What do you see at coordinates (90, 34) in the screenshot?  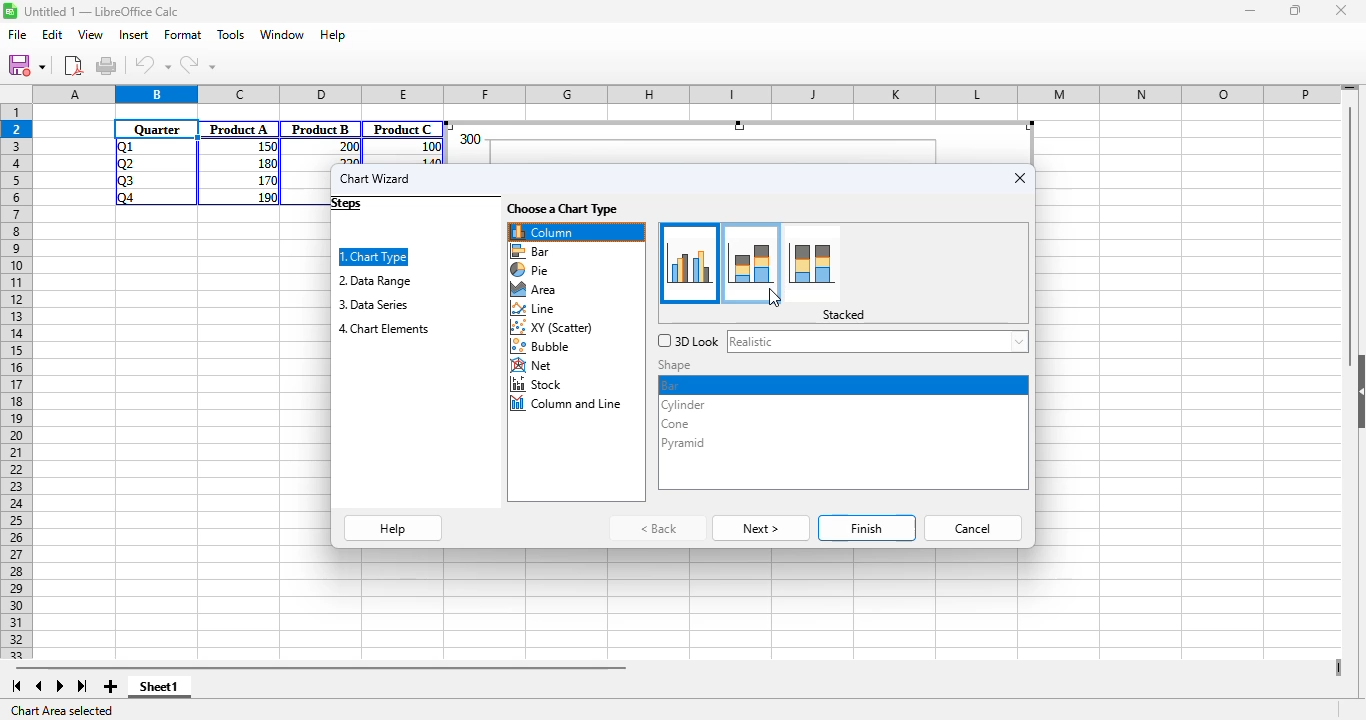 I see `view` at bounding box center [90, 34].